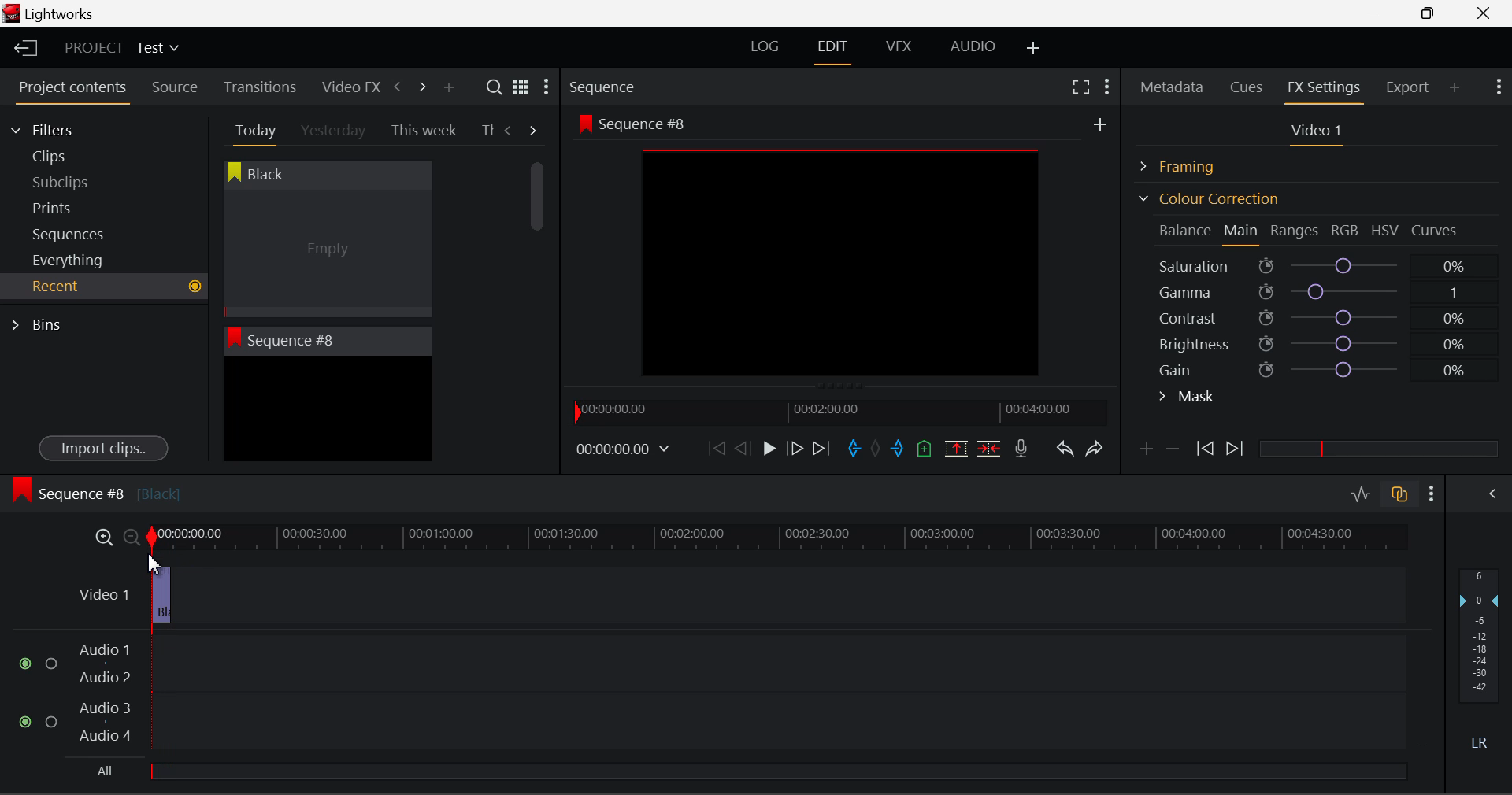  What do you see at coordinates (972, 46) in the screenshot?
I see `AUDIO Layout` at bounding box center [972, 46].